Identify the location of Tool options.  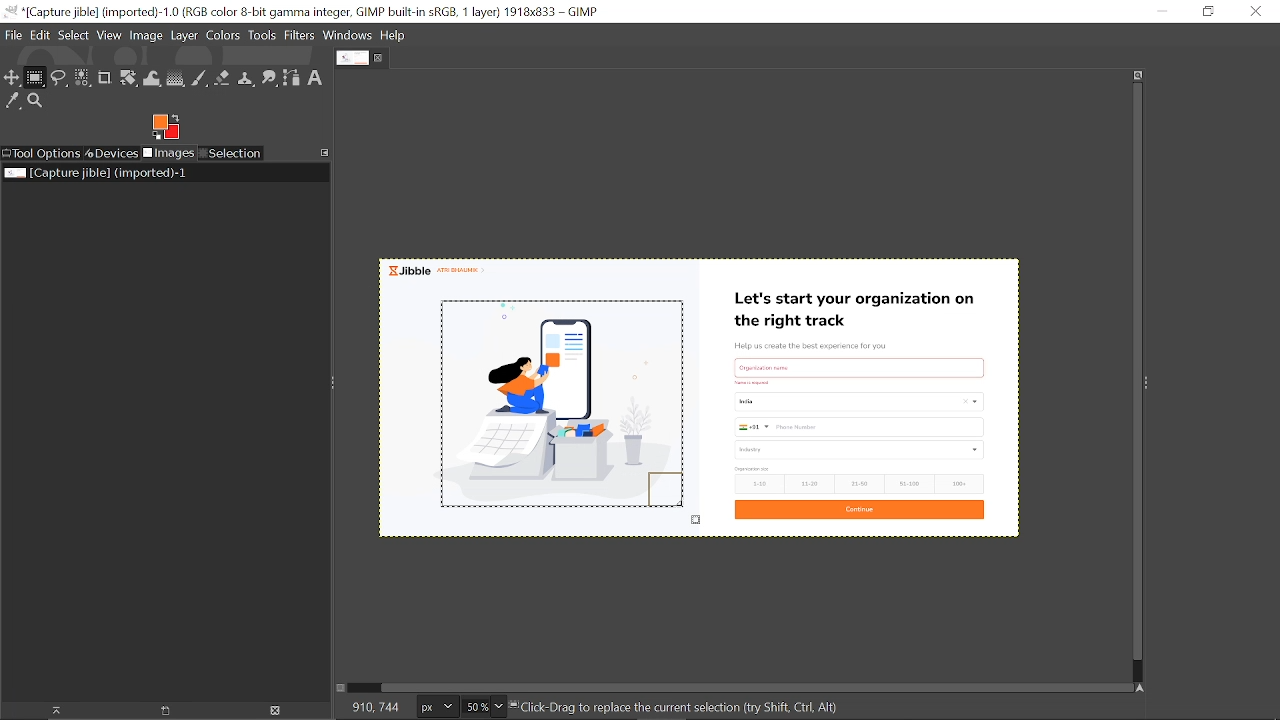
(42, 153).